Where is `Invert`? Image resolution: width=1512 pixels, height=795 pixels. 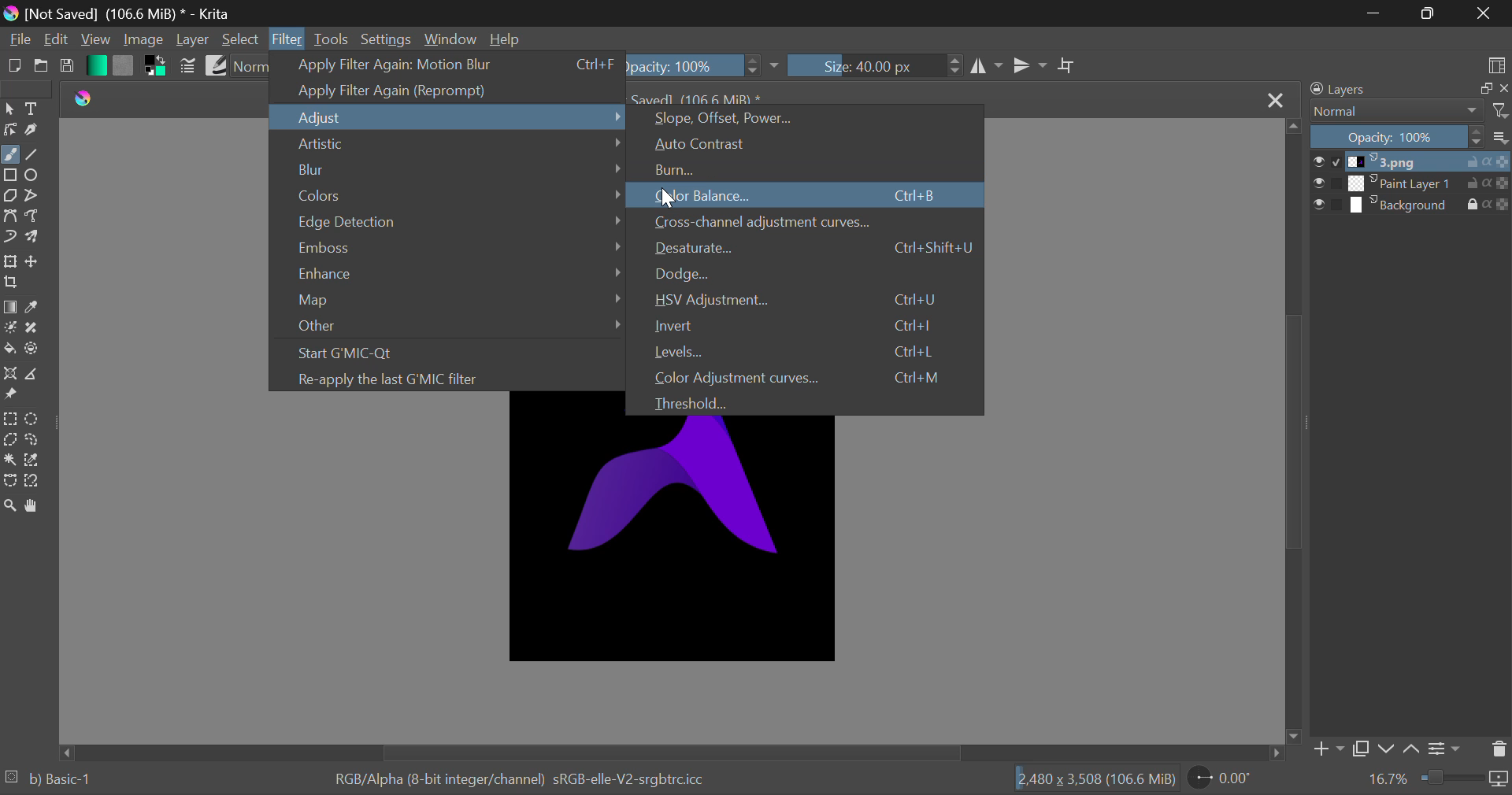
Invert is located at coordinates (813, 325).